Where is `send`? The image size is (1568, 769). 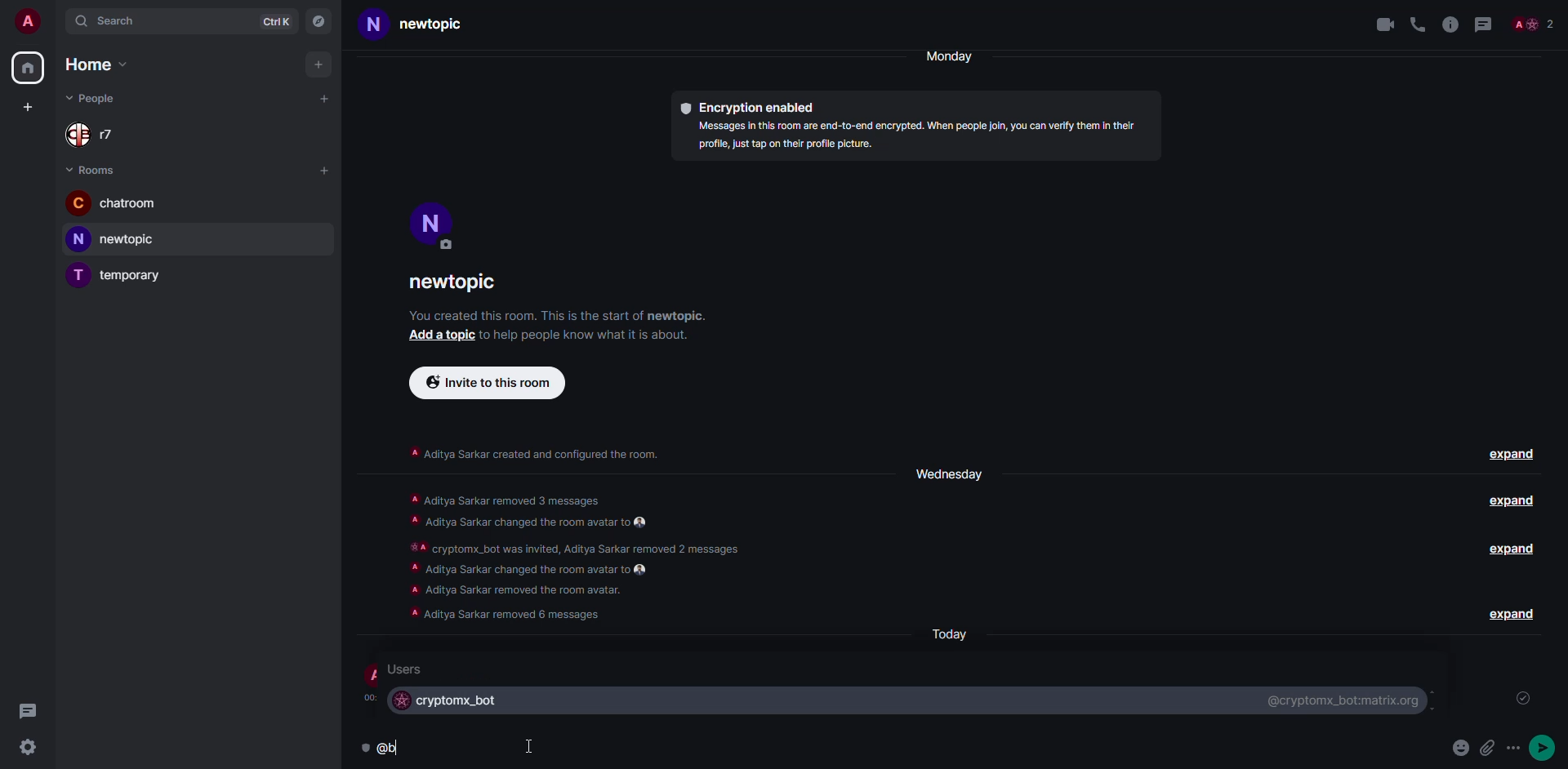 send is located at coordinates (1545, 748).